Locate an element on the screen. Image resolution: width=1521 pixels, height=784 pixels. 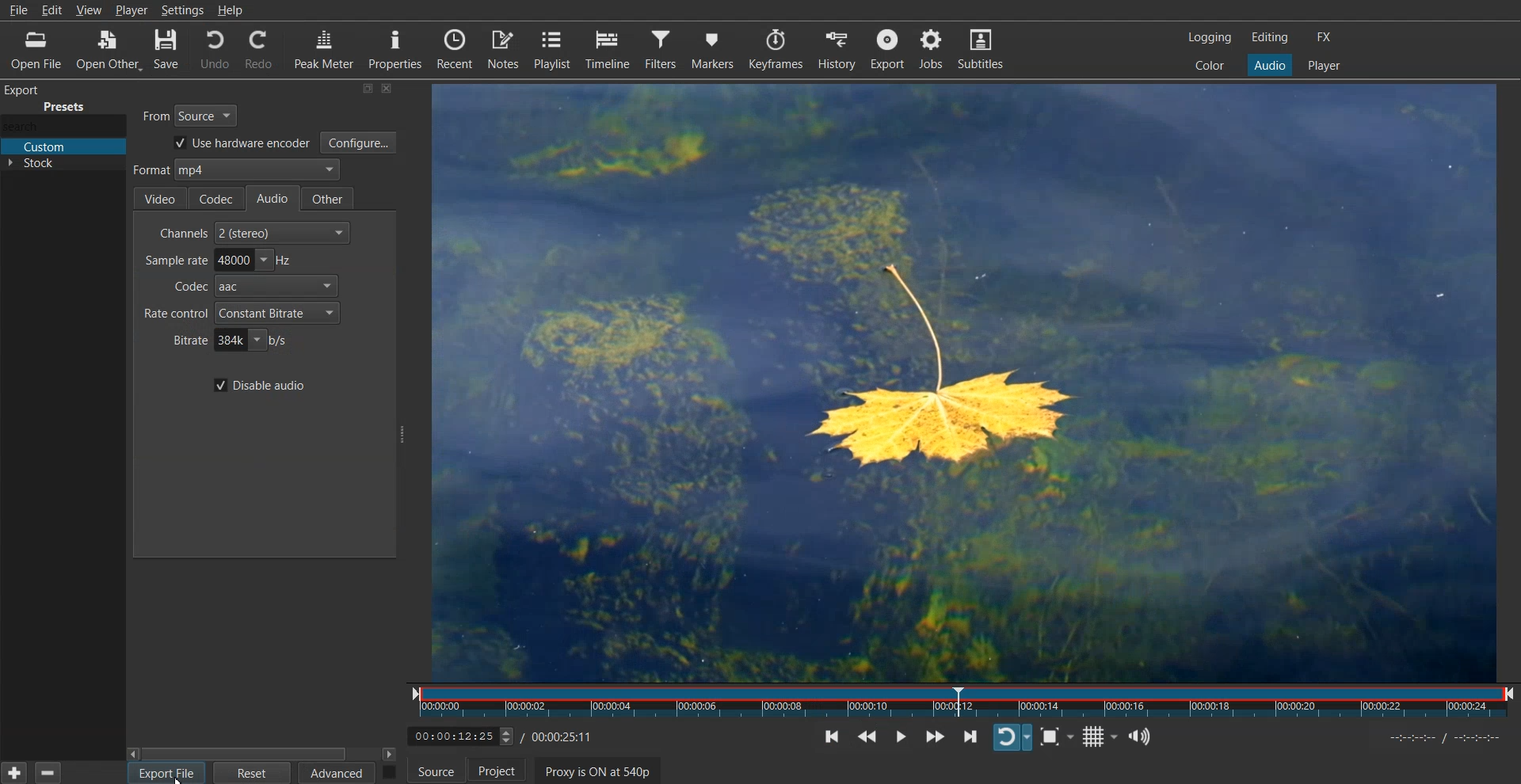
Add Current settings is located at coordinates (14, 771).